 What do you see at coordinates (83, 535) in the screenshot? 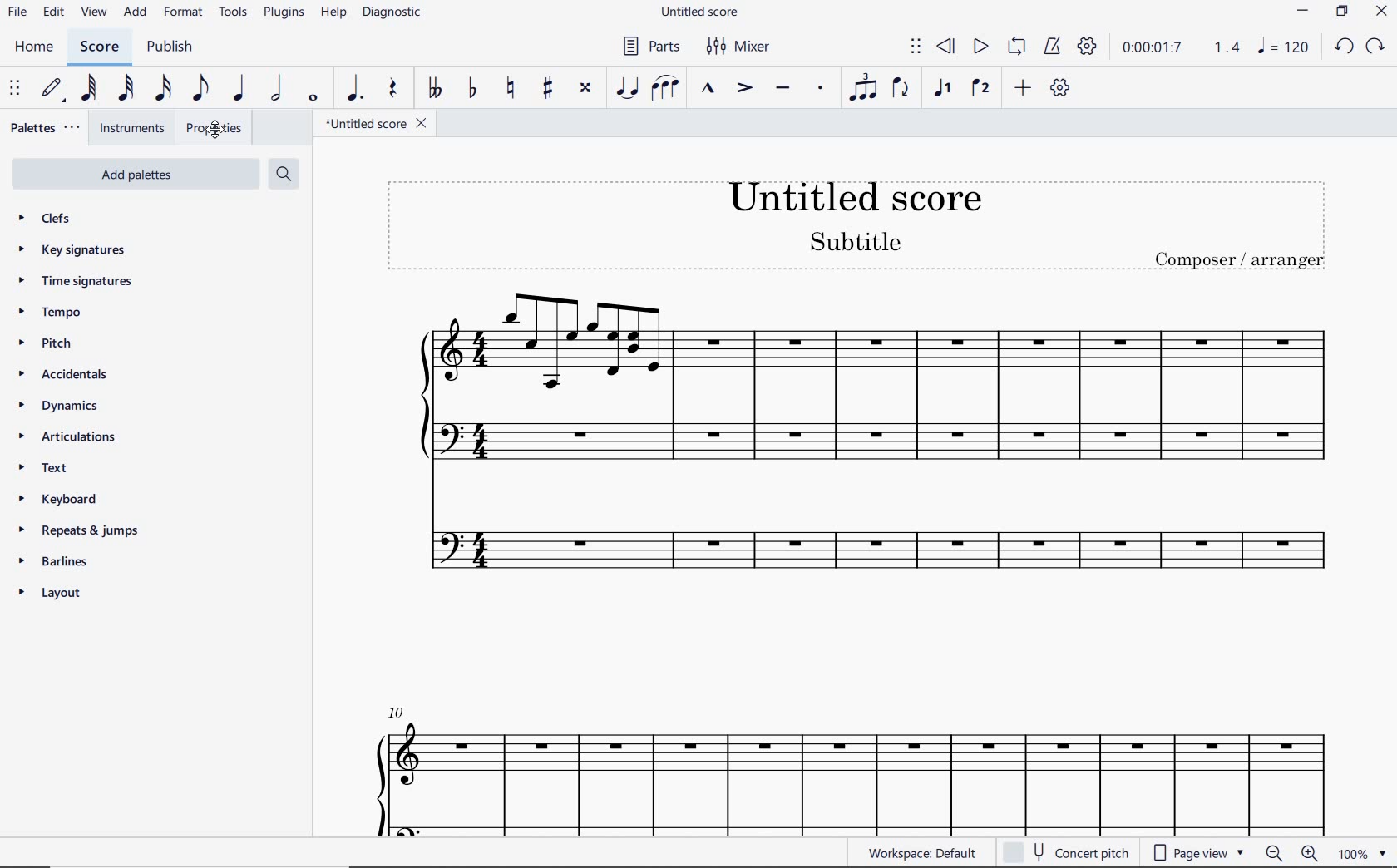
I see `repeats & jumps` at bounding box center [83, 535].